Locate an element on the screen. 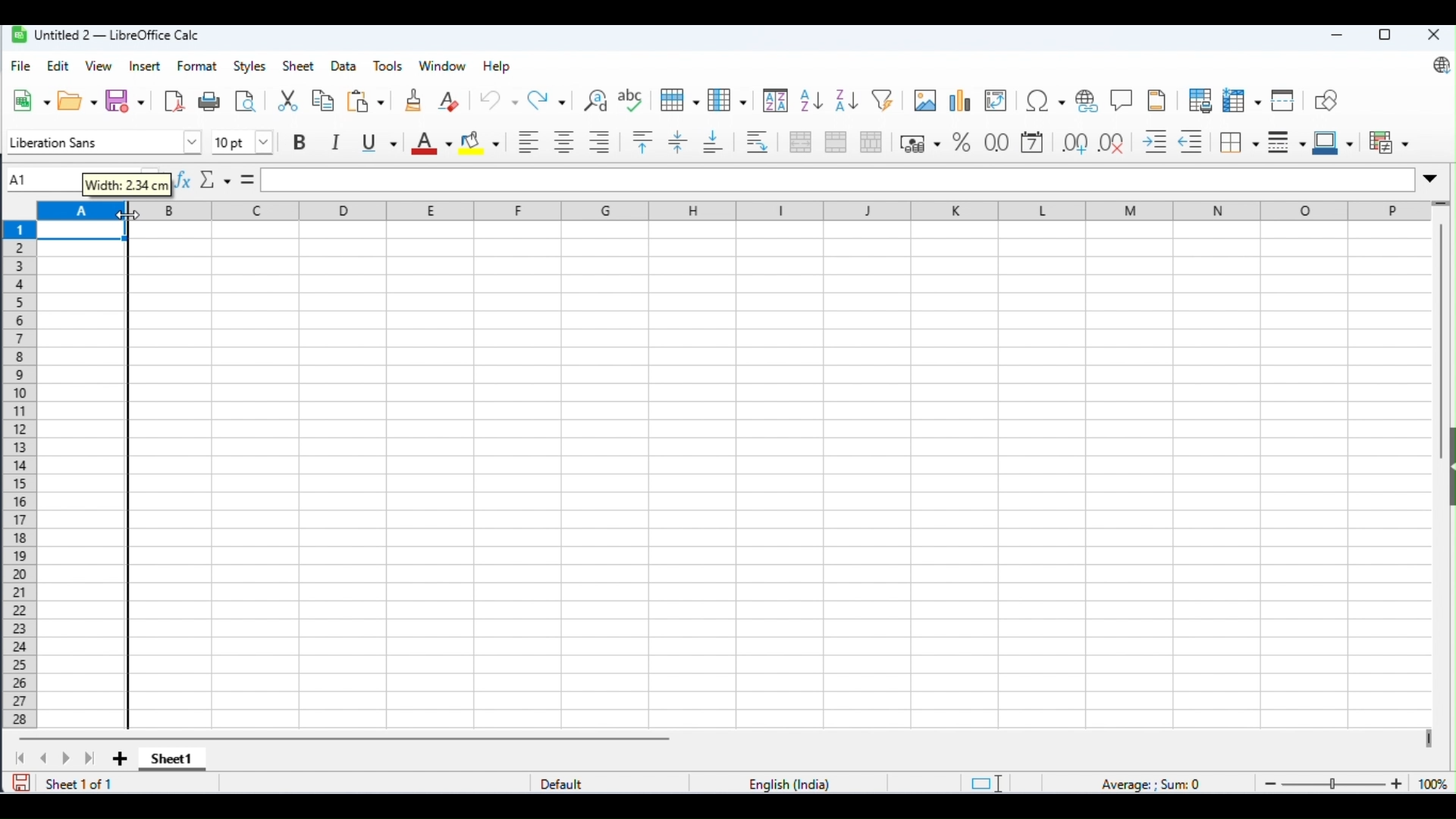 The image size is (1456, 819). font size is located at coordinates (240, 142).